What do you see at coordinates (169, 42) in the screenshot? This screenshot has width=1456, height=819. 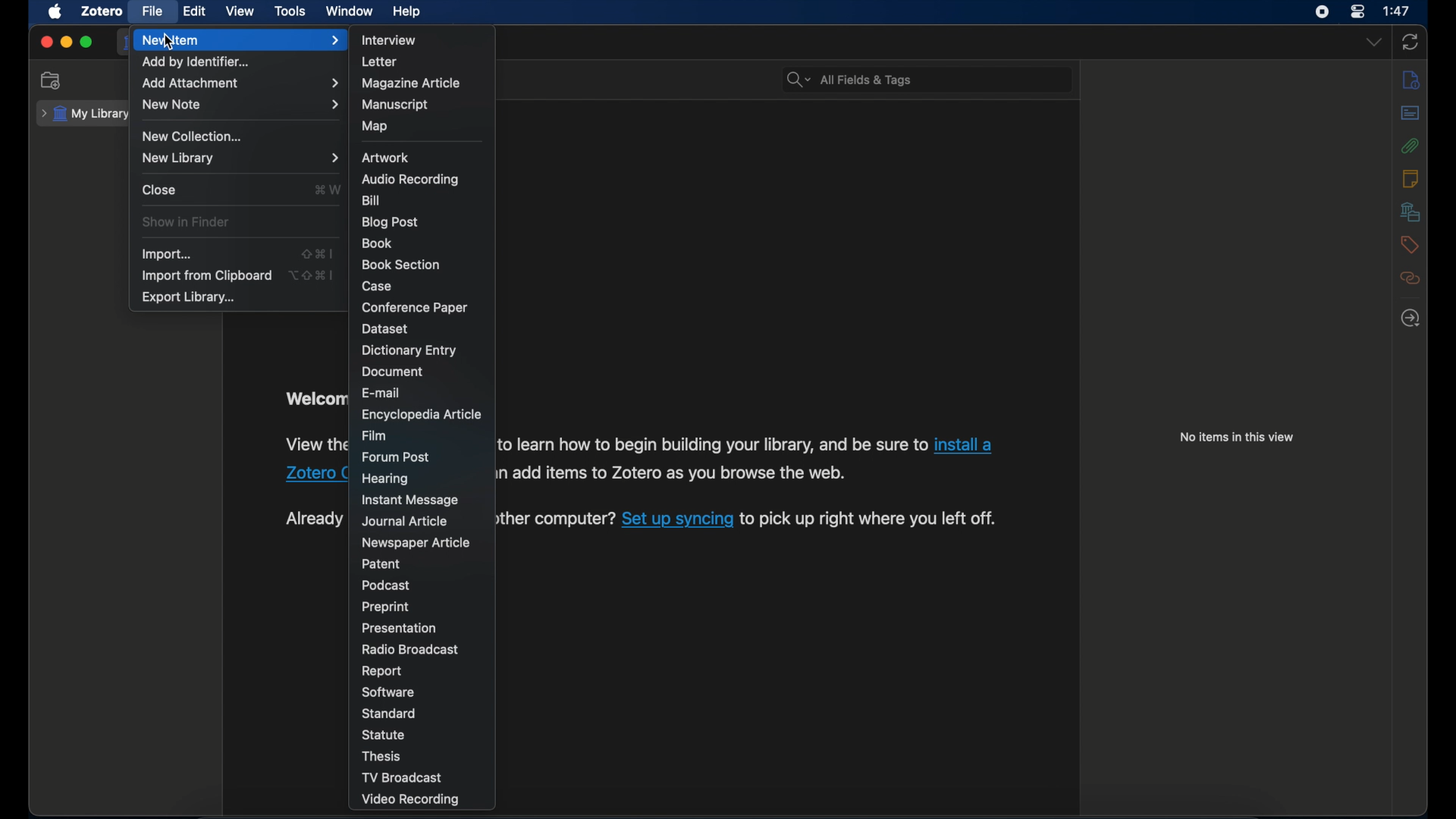 I see `cursor` at bounding box center [169, 42].